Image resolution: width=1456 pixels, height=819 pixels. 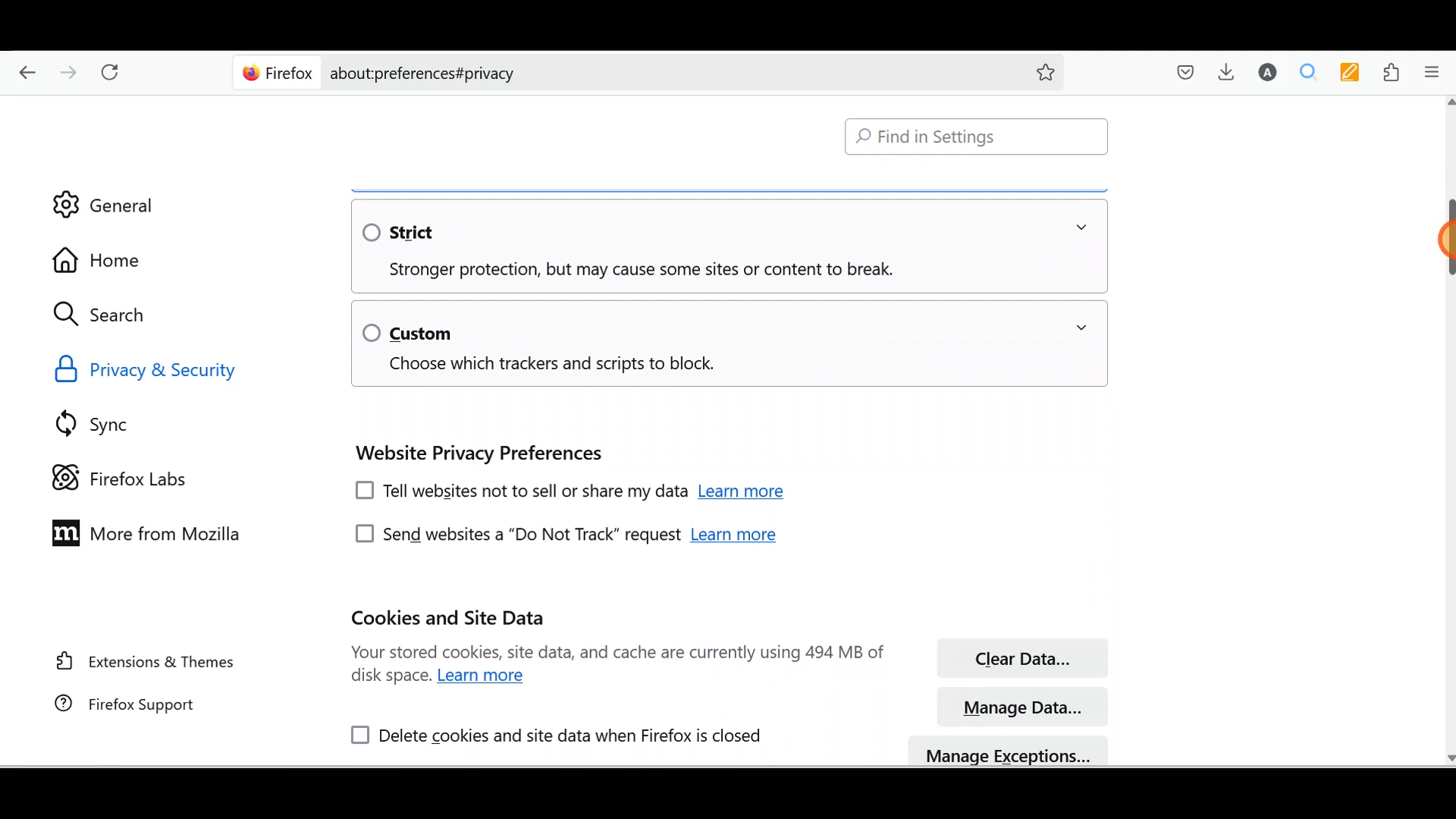 What do you see at coordinates (24, 71) in the screenshot?
I see `Go back one page` at bounding box center [24, 71].